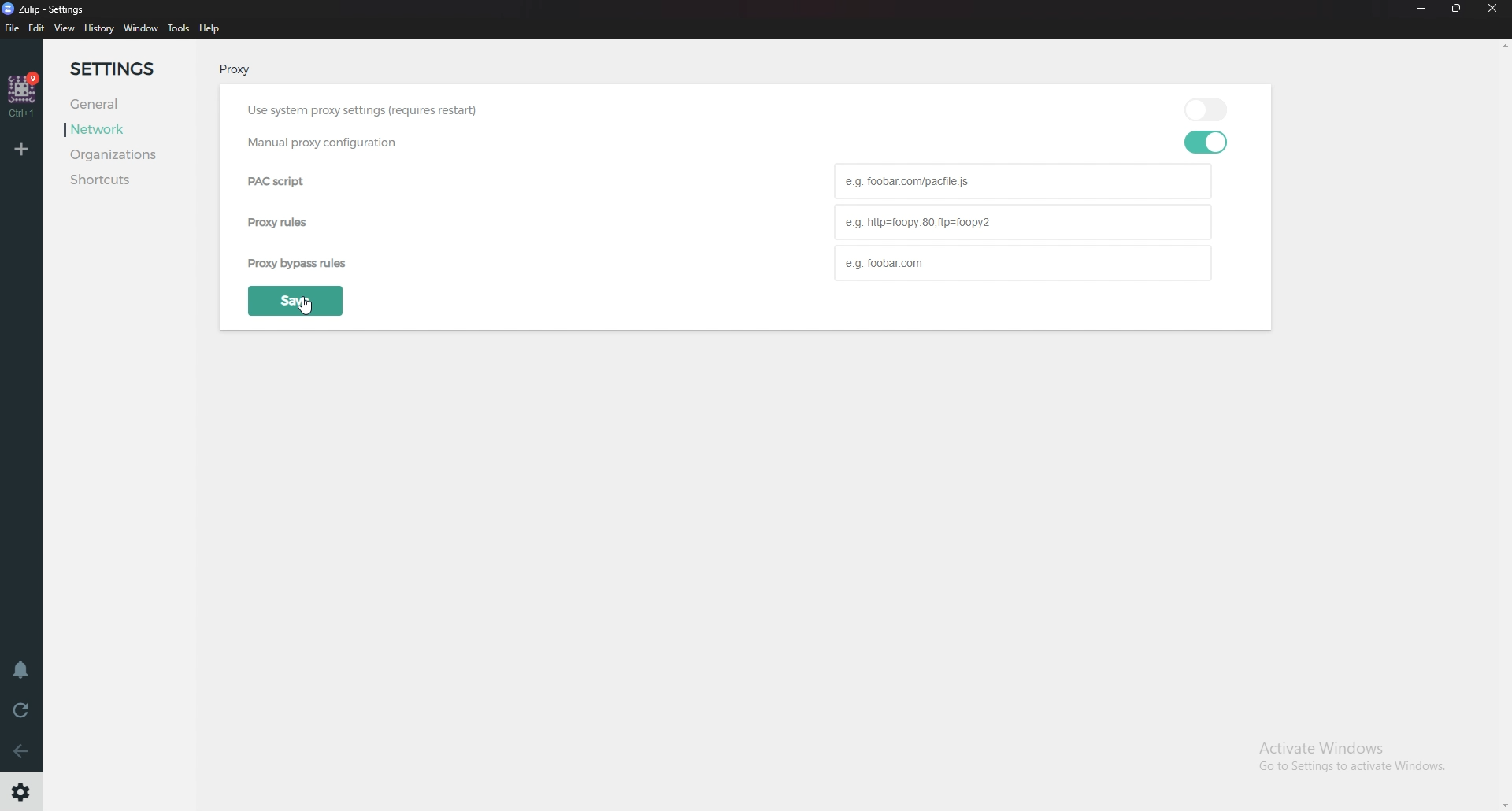  I want to click on History, so click(99, 29).